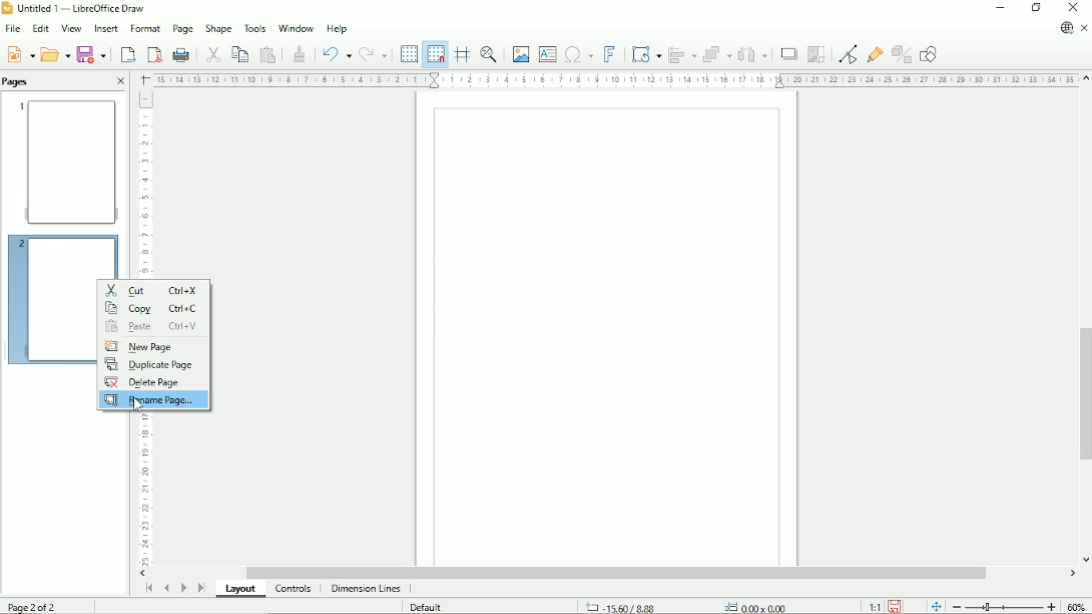  Describe the element at coordinates (547, 53) in the screenshot. I see `Insert text box` at that location.